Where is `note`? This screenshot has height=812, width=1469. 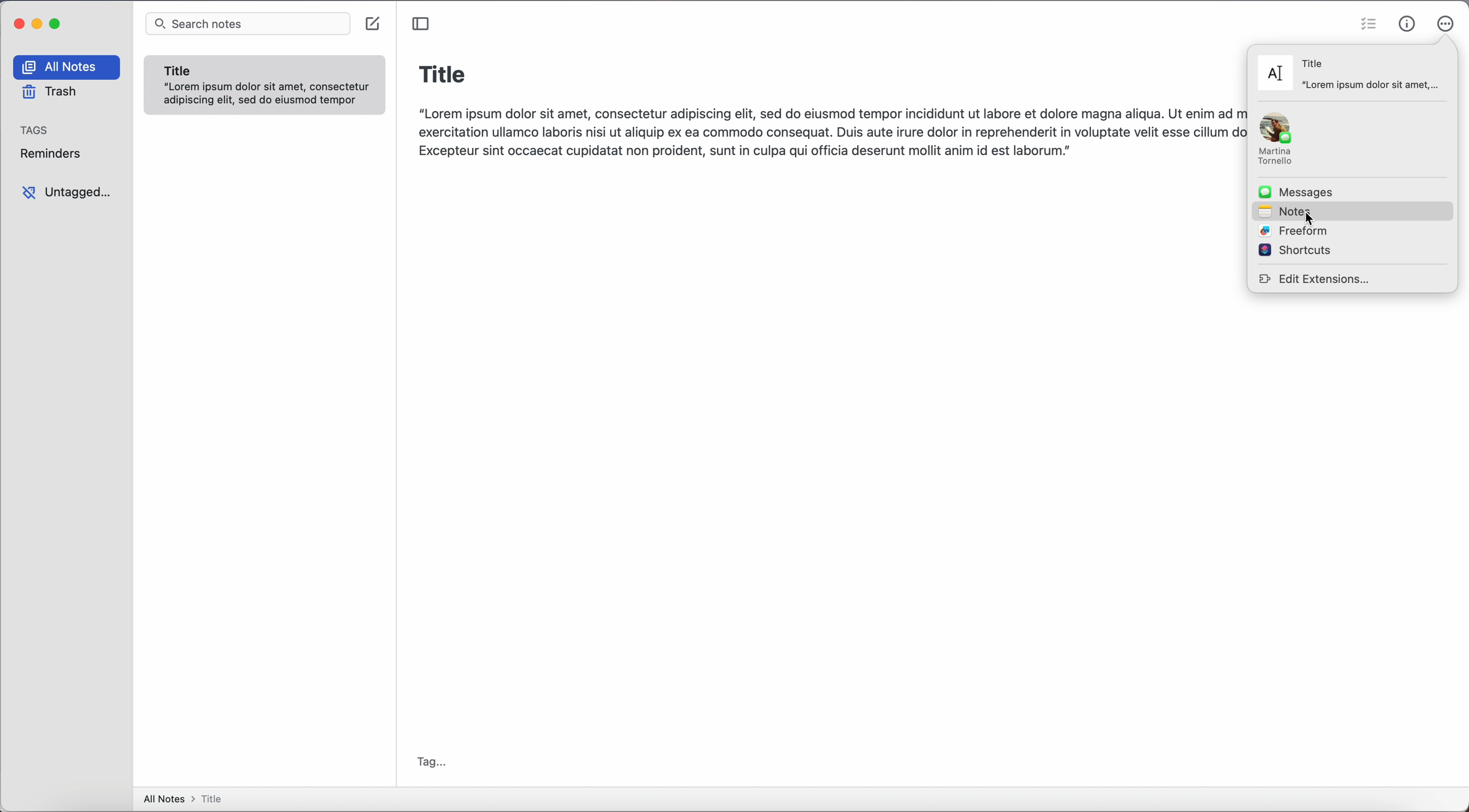 note is located at coordinates (265, 86).